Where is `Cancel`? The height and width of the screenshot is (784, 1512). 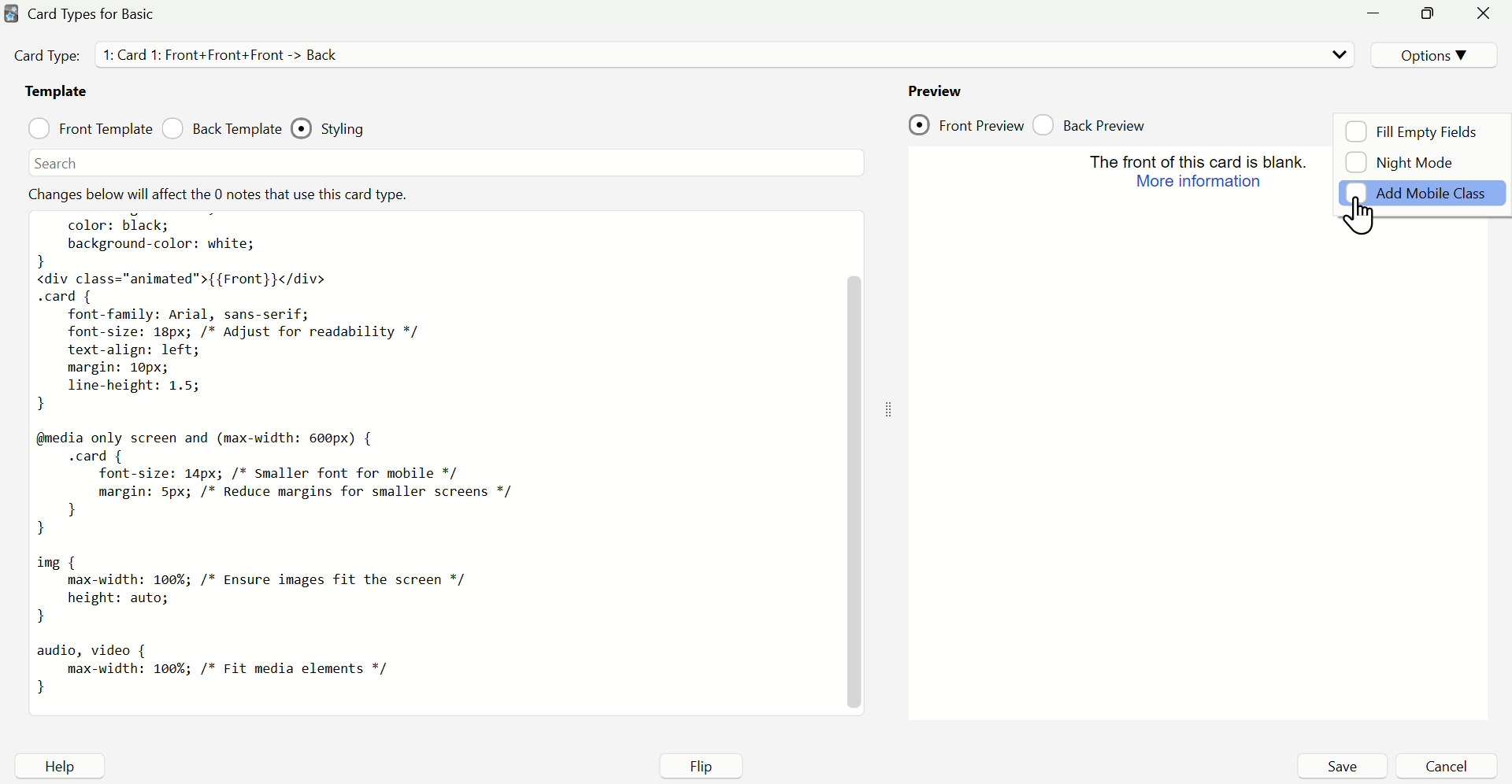
Cancel is located at coordinates (1447, 766).